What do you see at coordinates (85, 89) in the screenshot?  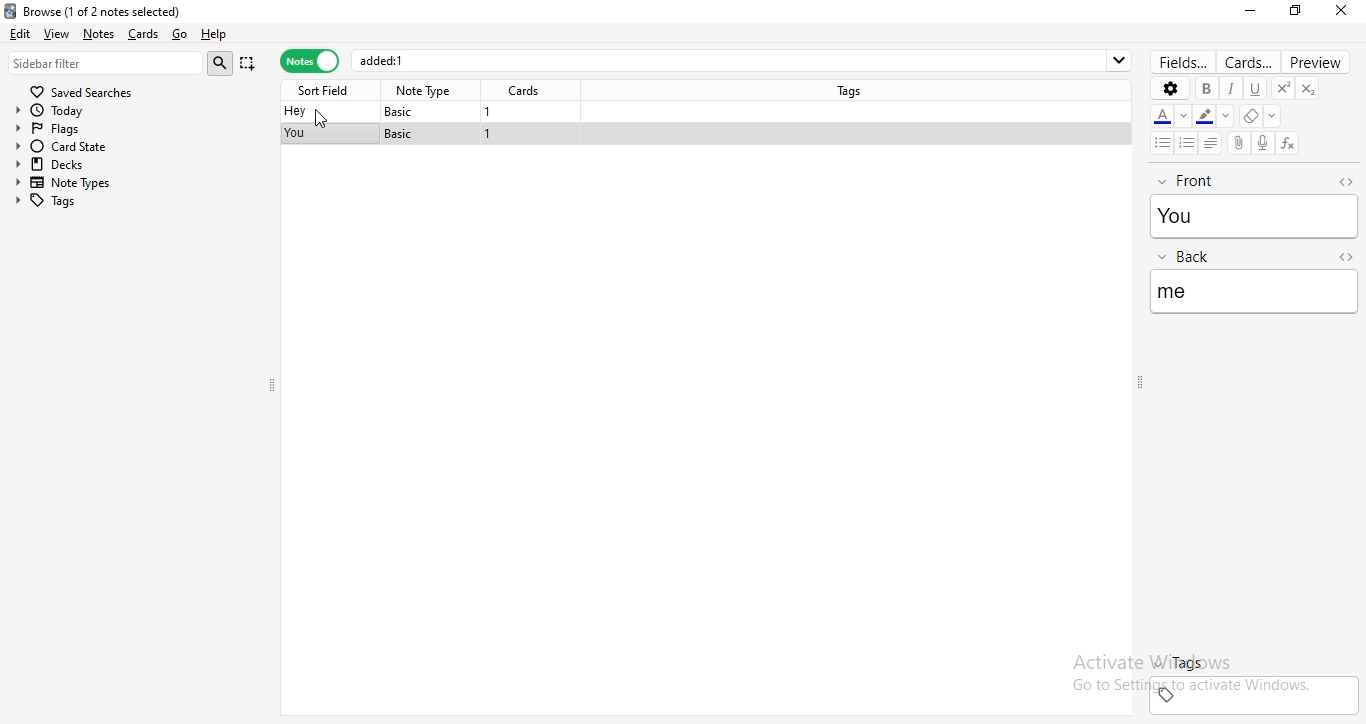 I see `saves searches` at bounding box center [85, 89].